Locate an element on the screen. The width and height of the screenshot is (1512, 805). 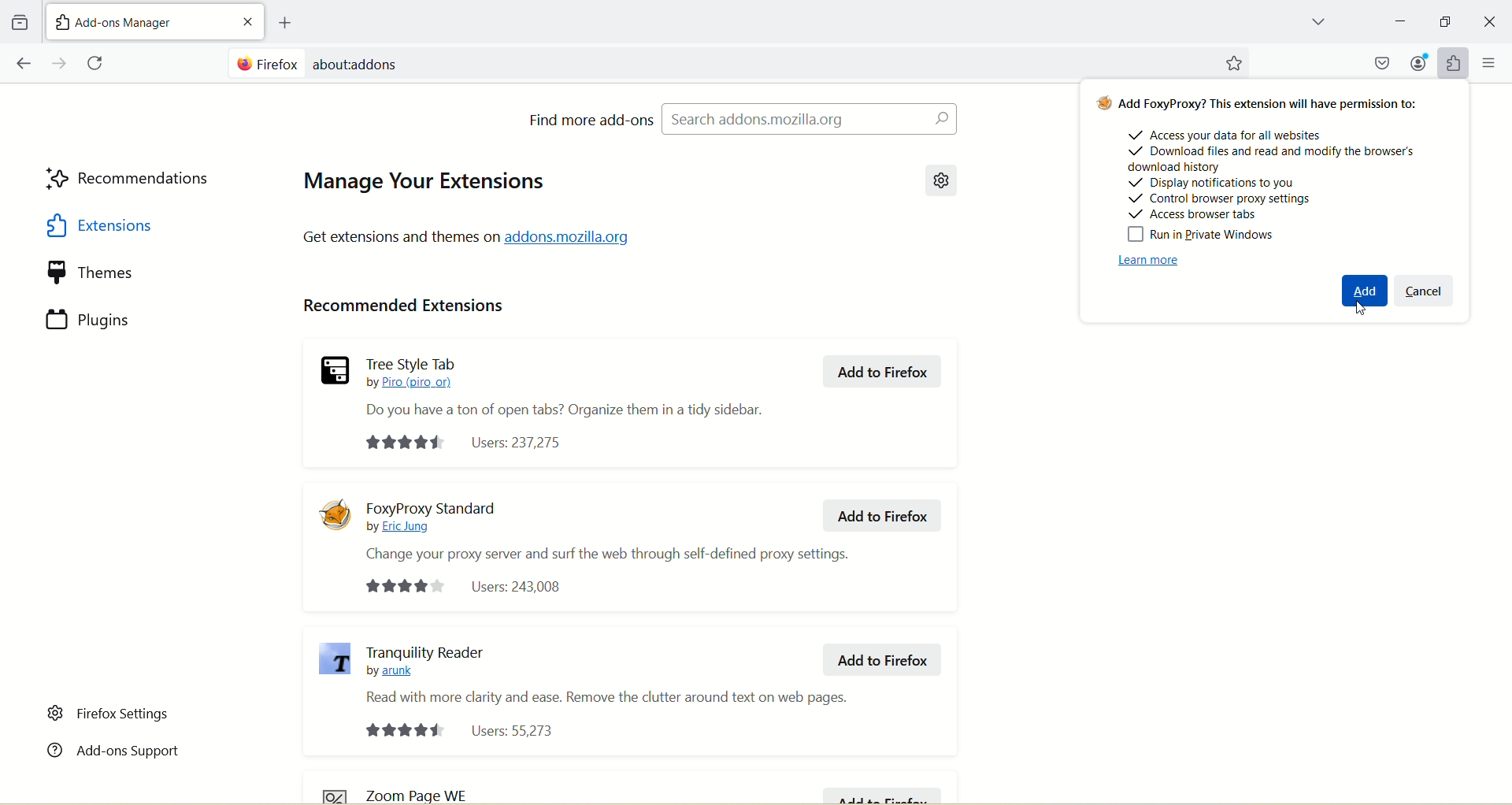
Users: 55,273 is located at coordinates (465, 731).